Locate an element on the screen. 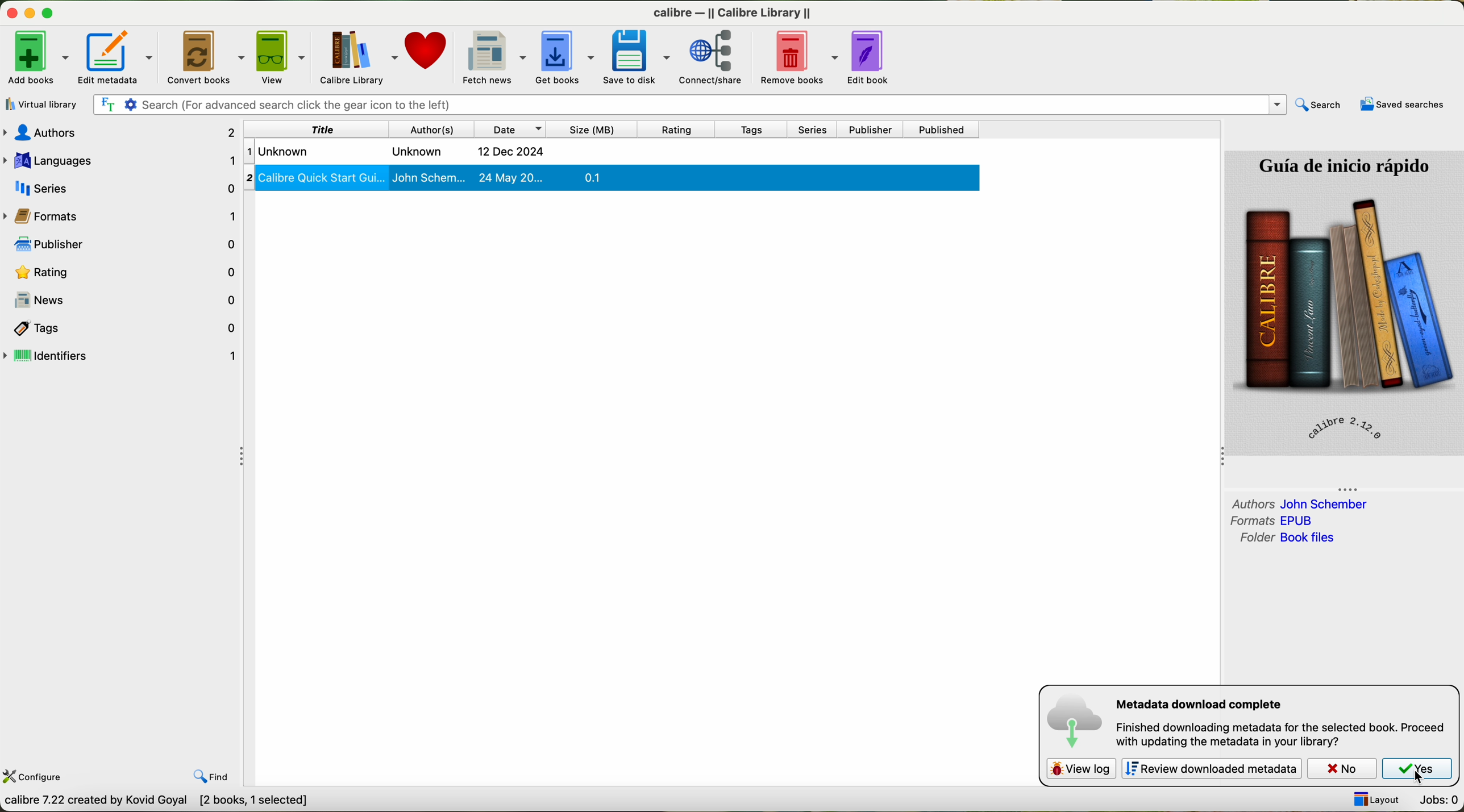 The height and width of the screenshot is (812, 1464). series is located at coordinates (813, 130).